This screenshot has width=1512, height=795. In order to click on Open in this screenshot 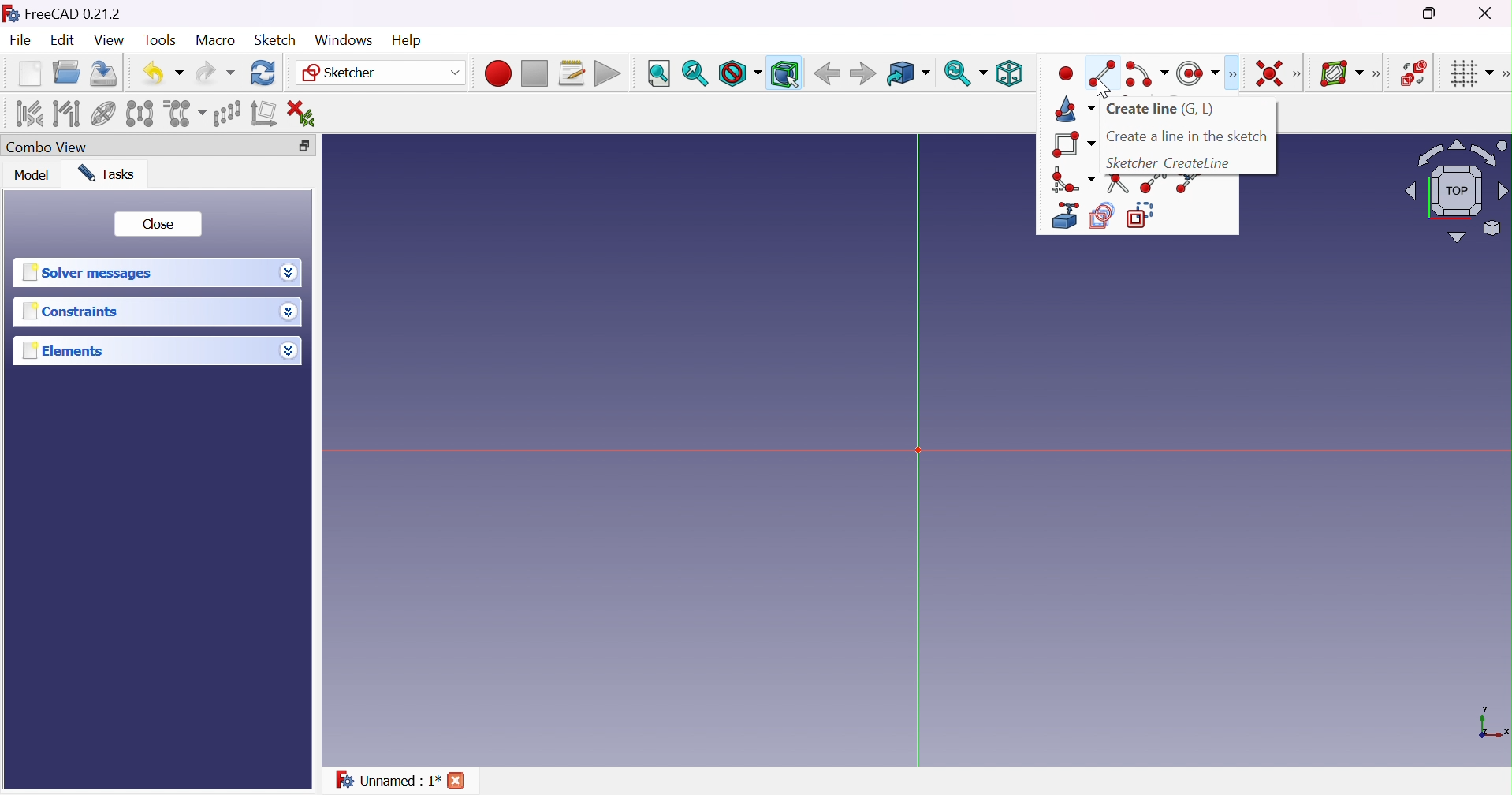, I will do `click(69, 72)`.